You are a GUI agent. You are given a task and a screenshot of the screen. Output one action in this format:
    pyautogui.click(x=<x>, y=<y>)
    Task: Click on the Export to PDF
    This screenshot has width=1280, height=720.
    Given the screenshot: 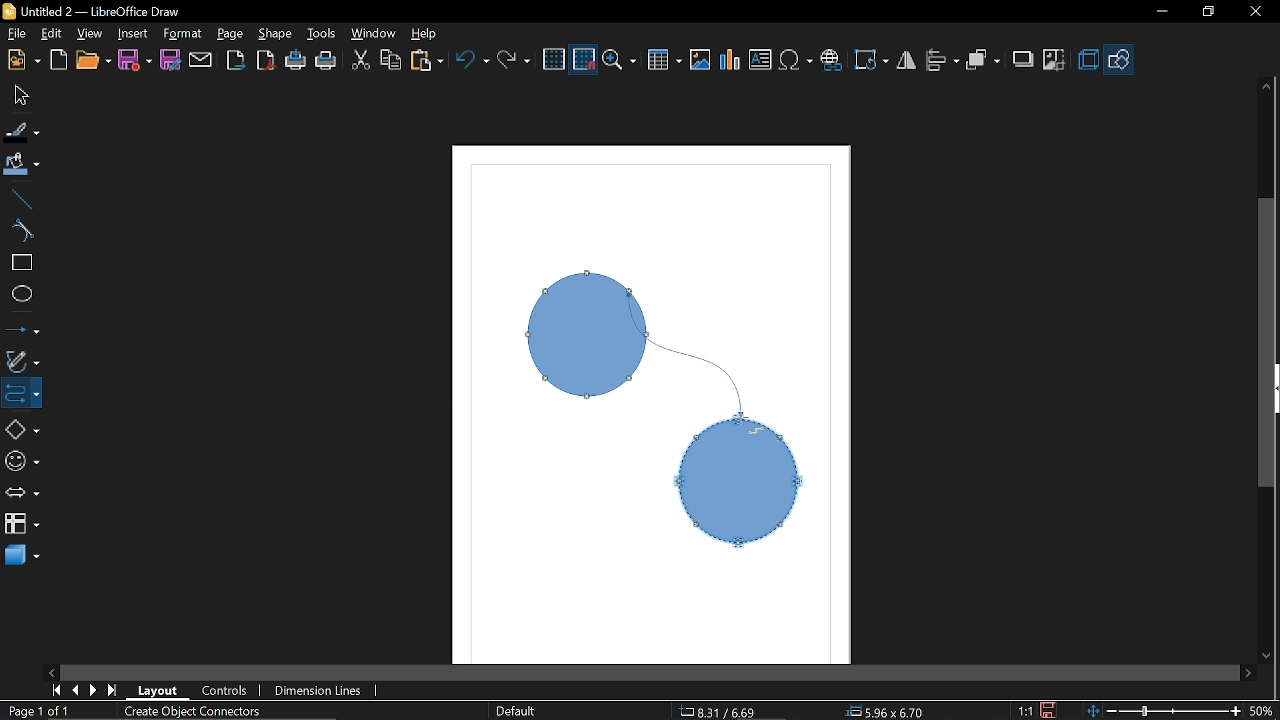 What is the action you would take?
    pyautogui.click(x=267, y=59)
    